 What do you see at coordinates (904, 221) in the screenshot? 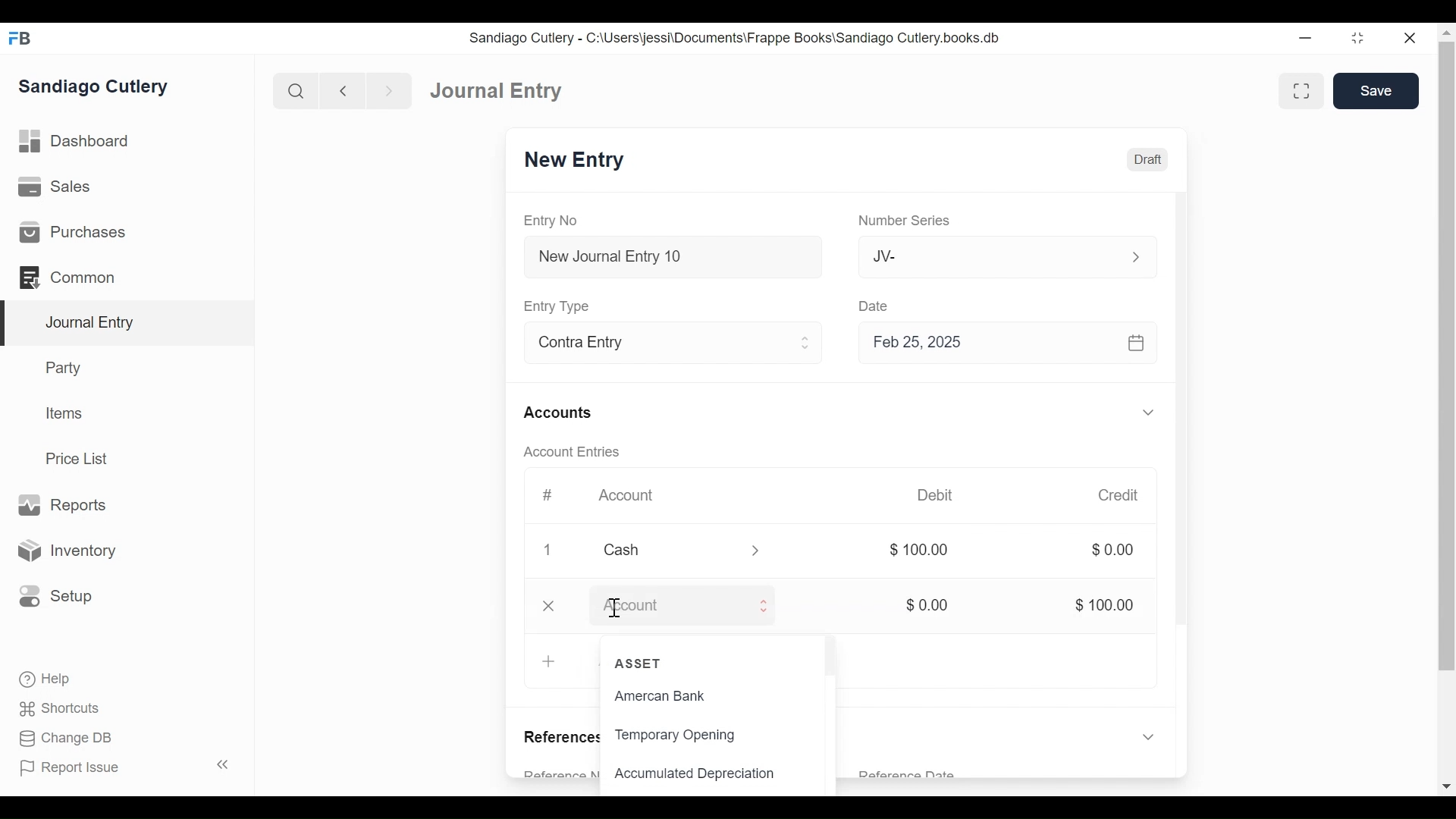
I see `Number Series` at bounding box center [904, 221].